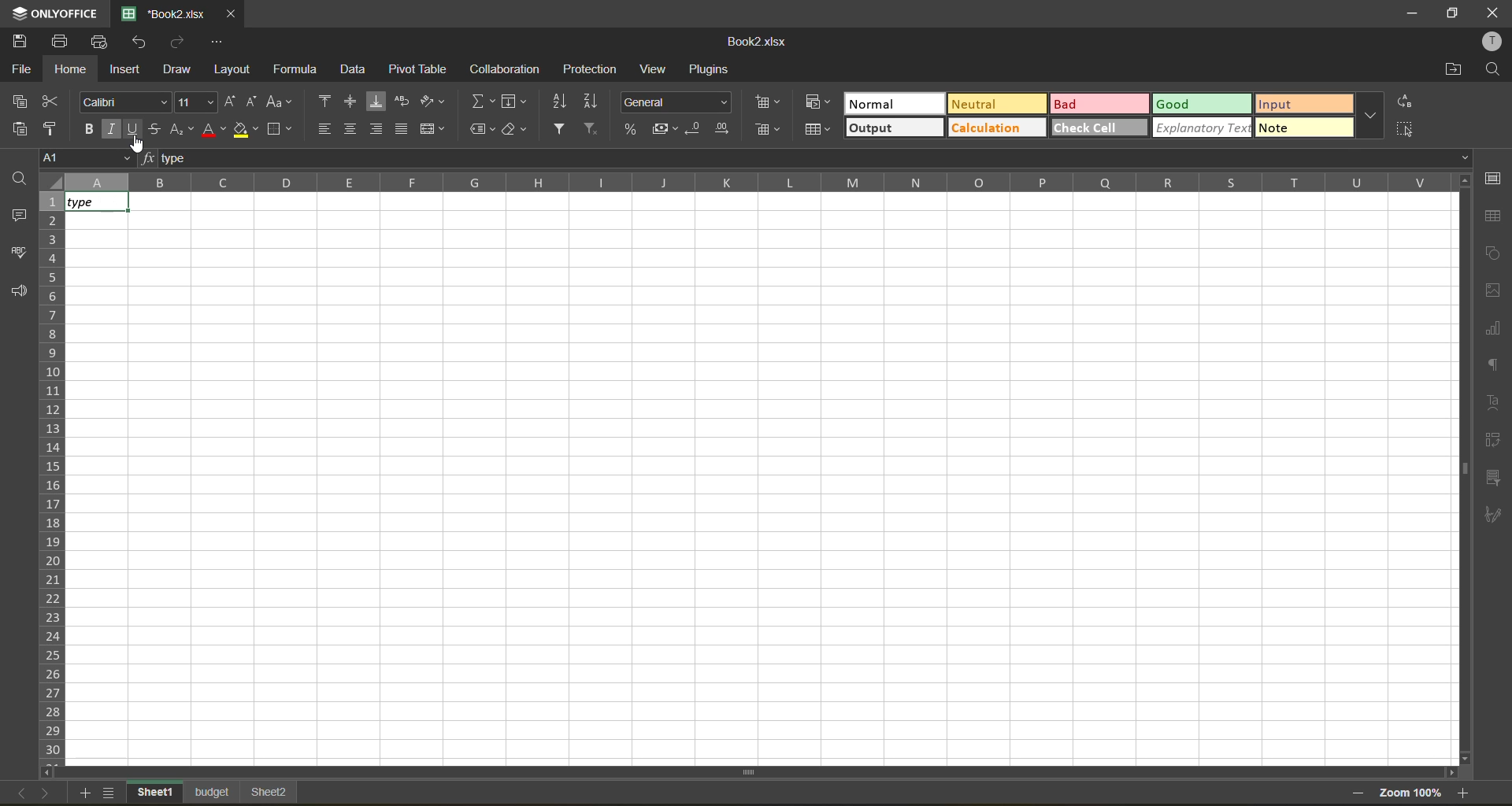 This screenshot has width=1512, height=806. What do you see at coordinates (592, 100) in the screenshot?
I see `sort descending` at bounding box center [592, 100].